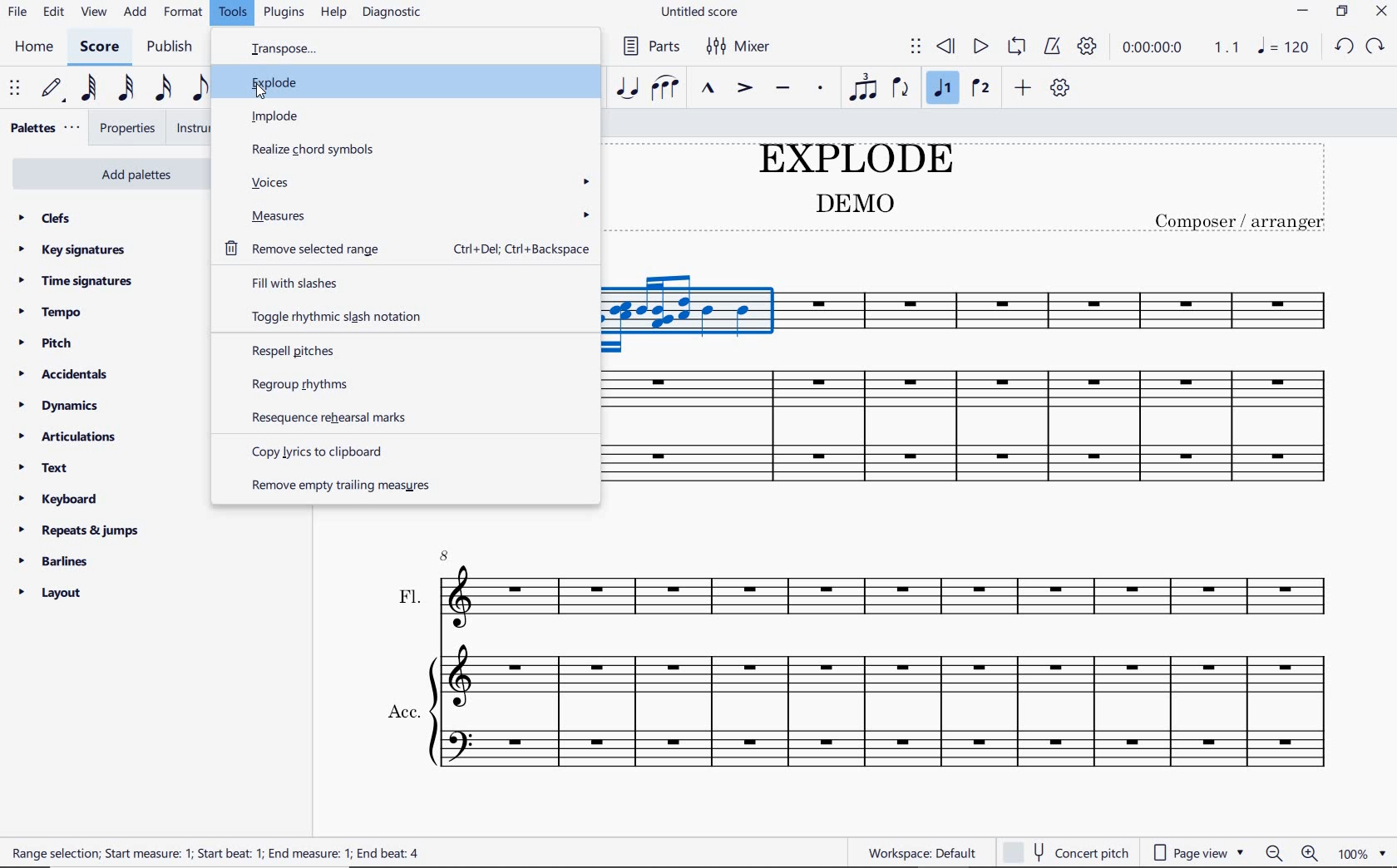 The height and width of the screenshot is (868, 1397). I want to click on properties, so click(126, 129).